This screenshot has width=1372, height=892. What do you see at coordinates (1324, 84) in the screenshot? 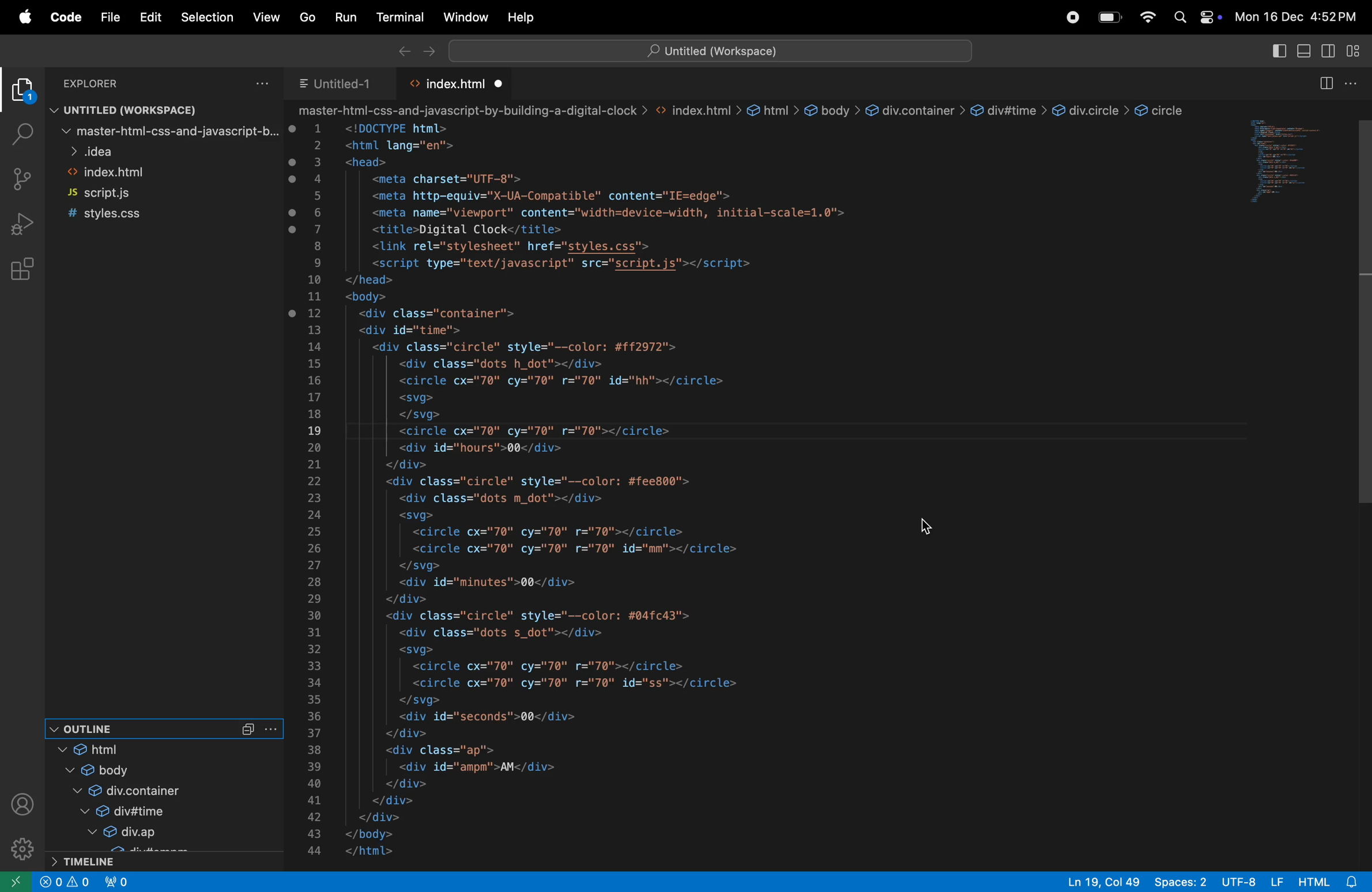
I see `split editor` at bounding box center [1324, 84].